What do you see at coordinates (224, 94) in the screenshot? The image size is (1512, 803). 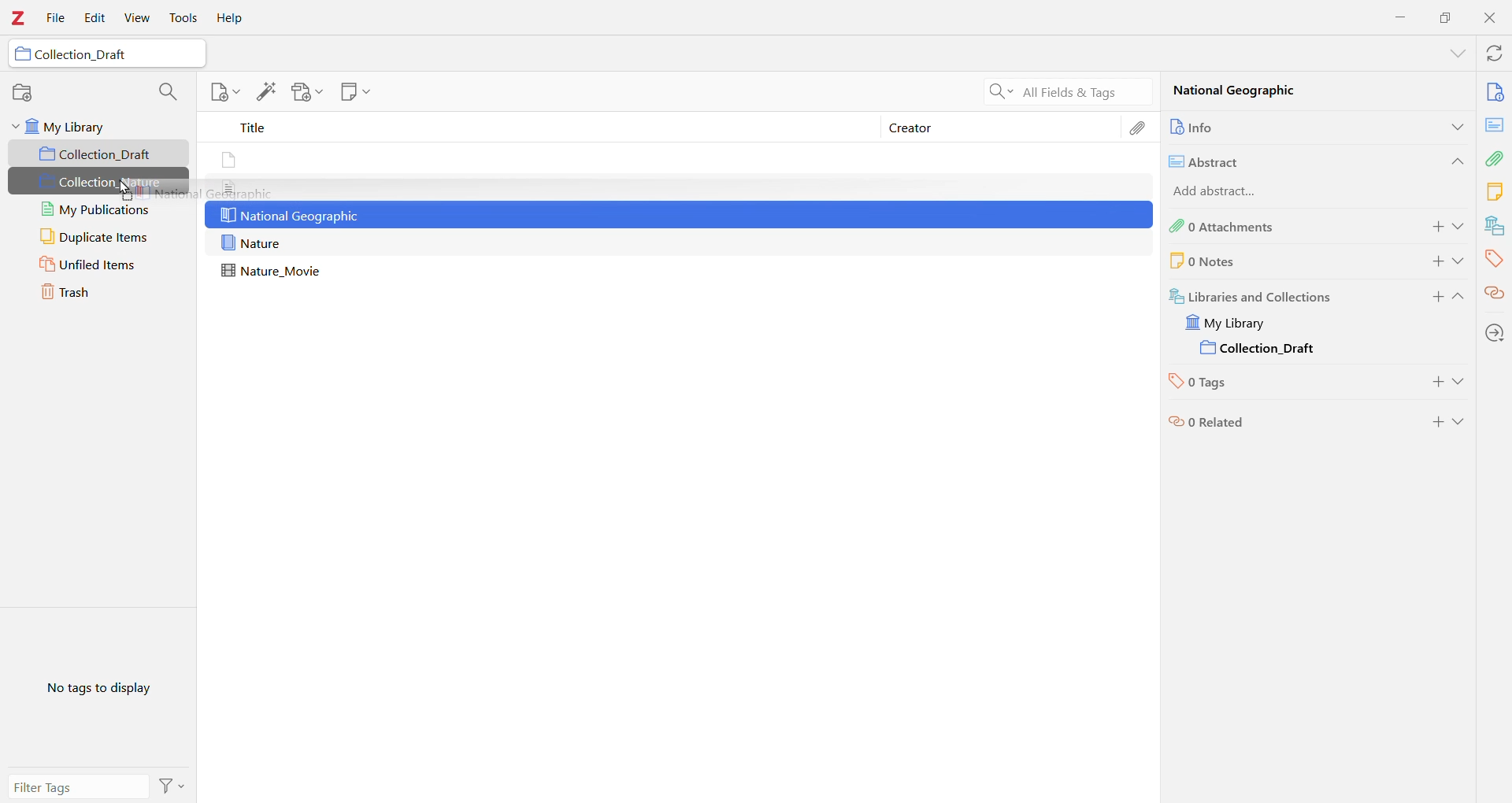 I see `New Item` at bounding box center [224, 94].